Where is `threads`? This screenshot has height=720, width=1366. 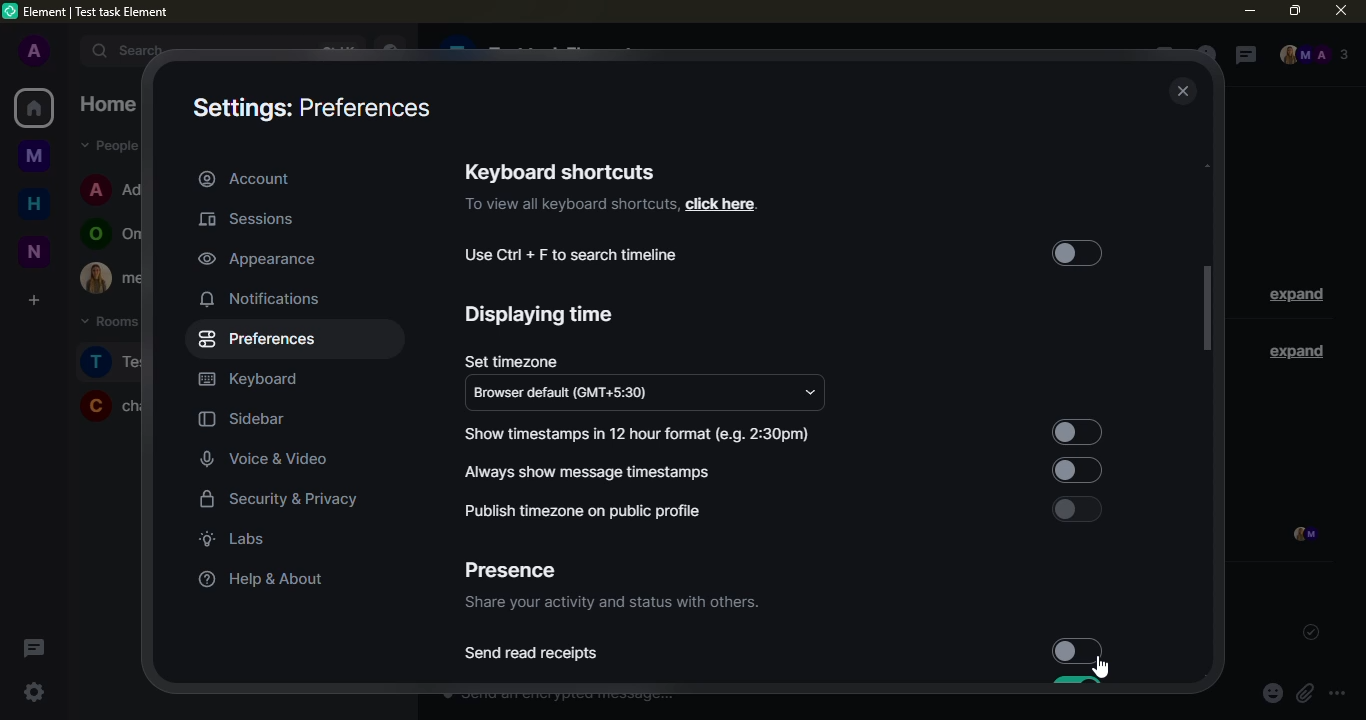
threads is located at coordinates (1242, 56).